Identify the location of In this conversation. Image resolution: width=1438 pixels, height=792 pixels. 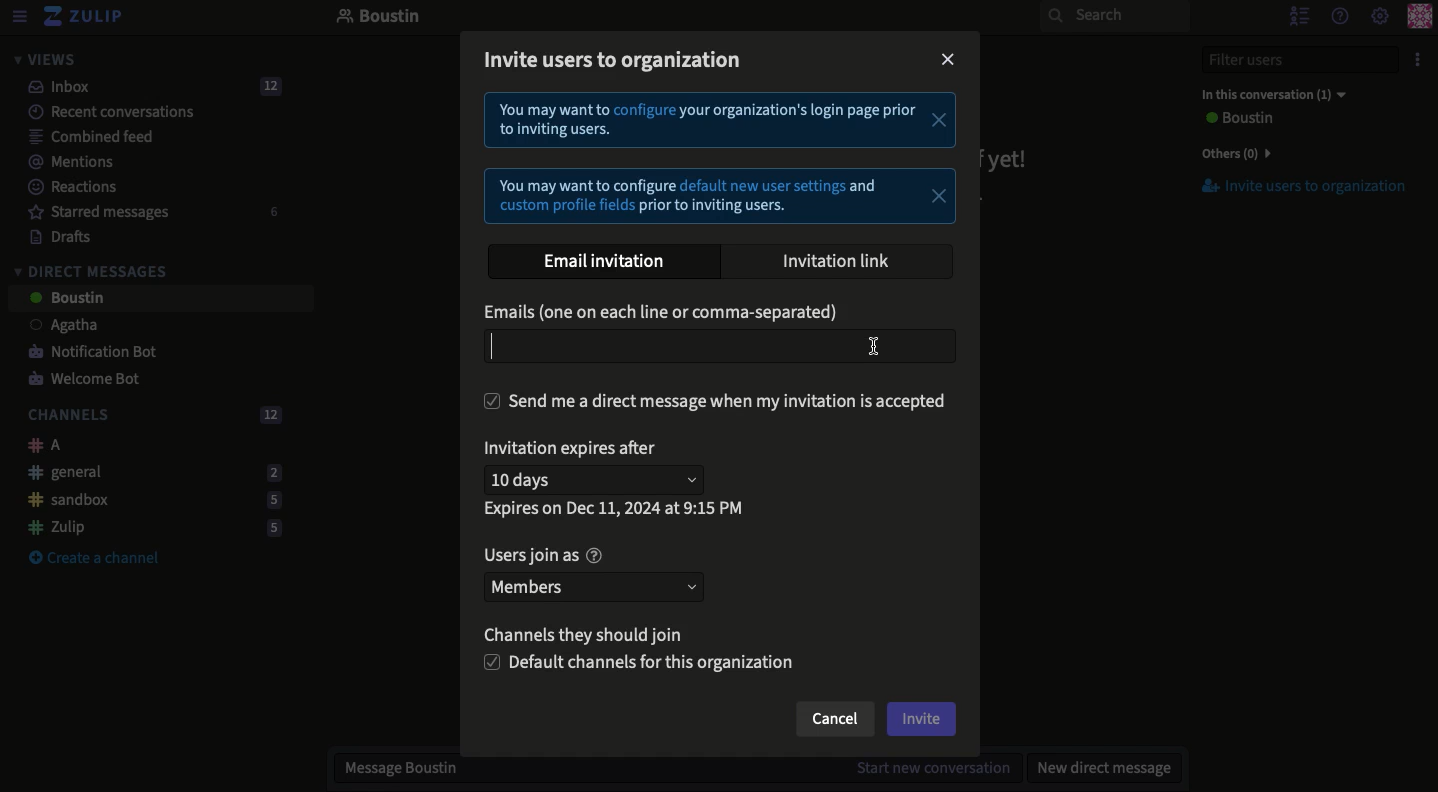
(1269, 94).